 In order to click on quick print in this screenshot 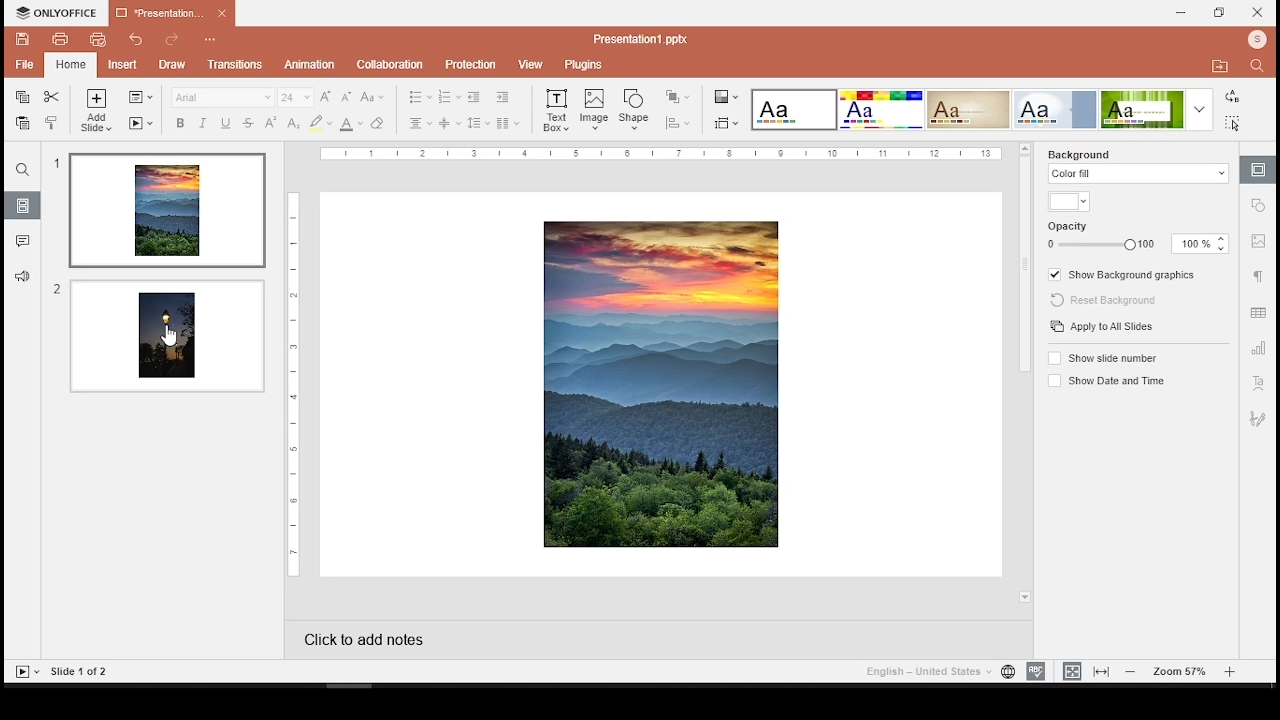, I will do `click(93, 39)`.